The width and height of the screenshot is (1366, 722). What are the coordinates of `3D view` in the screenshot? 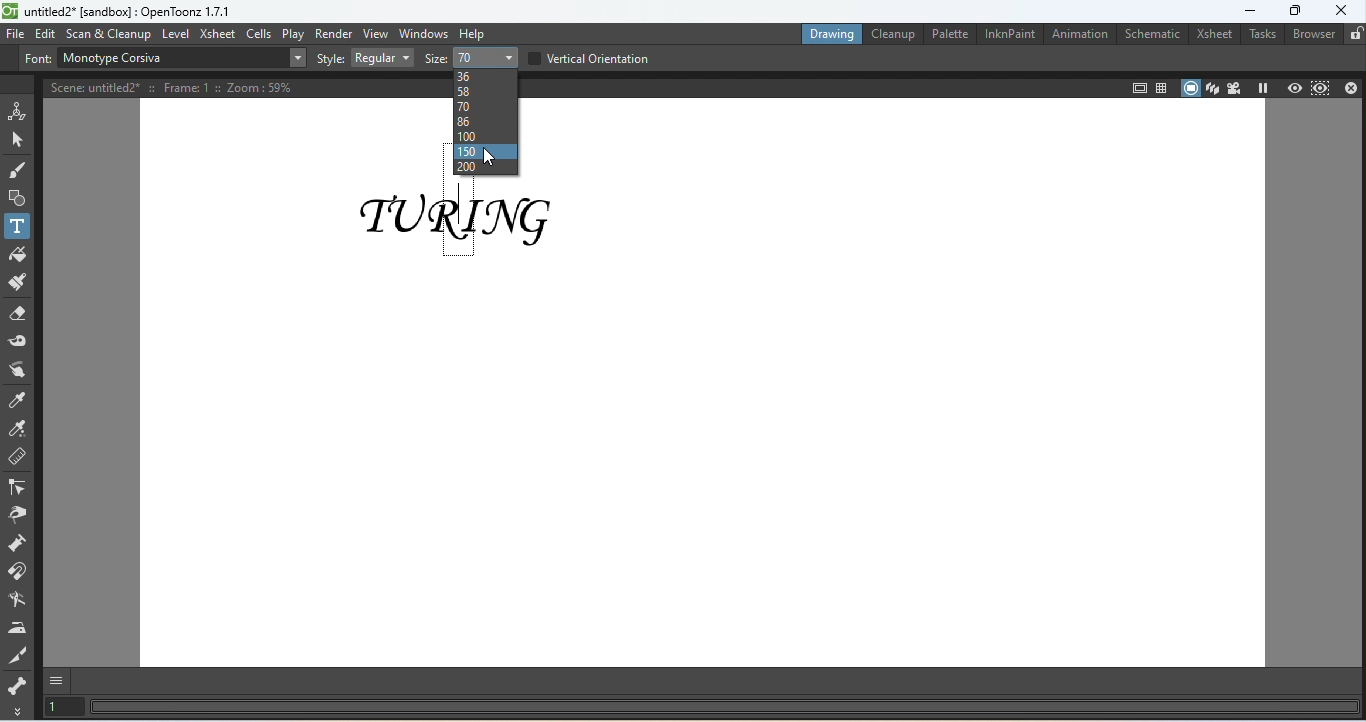 It's located at (1213, 88).